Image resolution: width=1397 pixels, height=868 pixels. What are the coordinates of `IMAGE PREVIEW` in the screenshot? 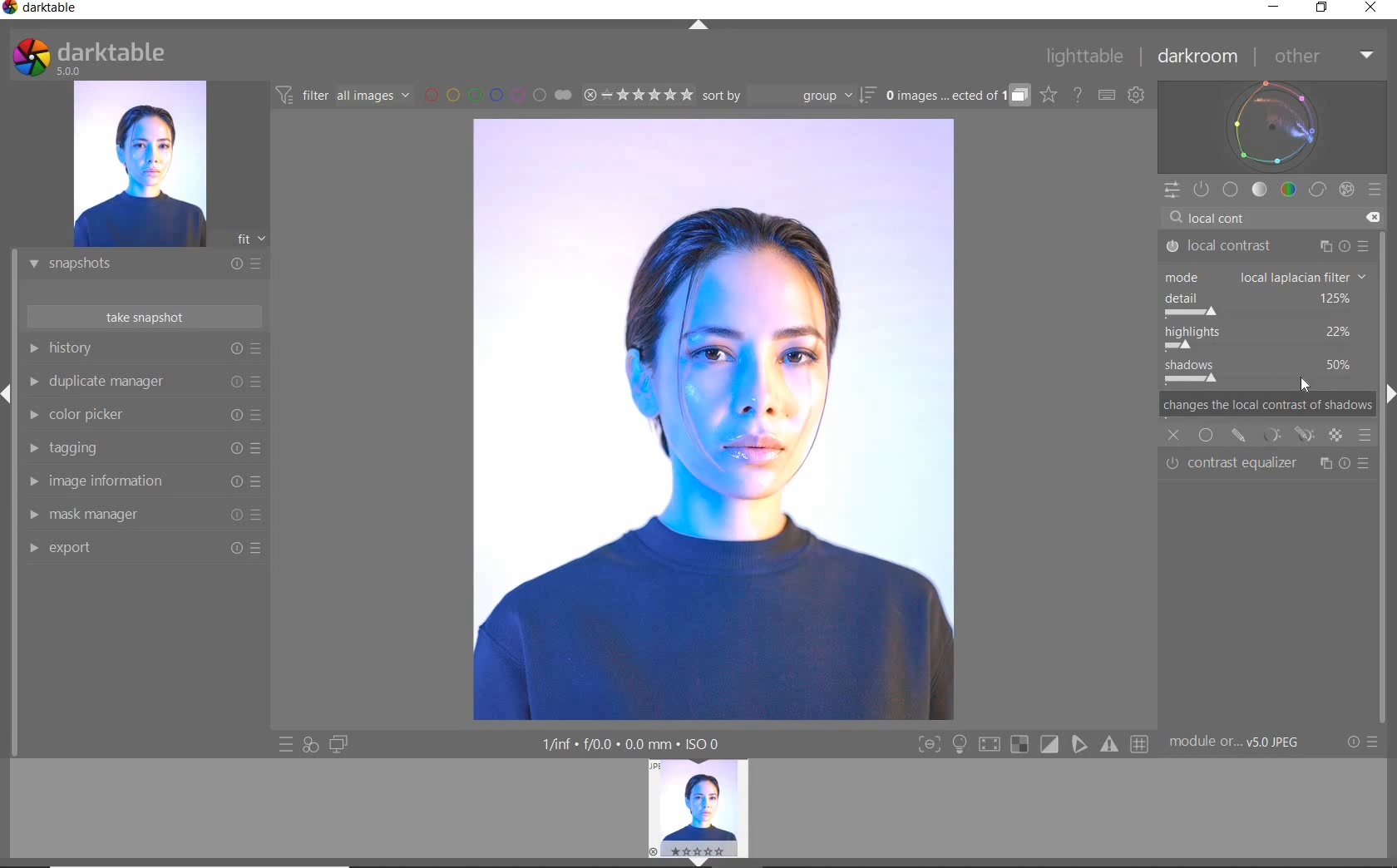 It's located at (139, 165).